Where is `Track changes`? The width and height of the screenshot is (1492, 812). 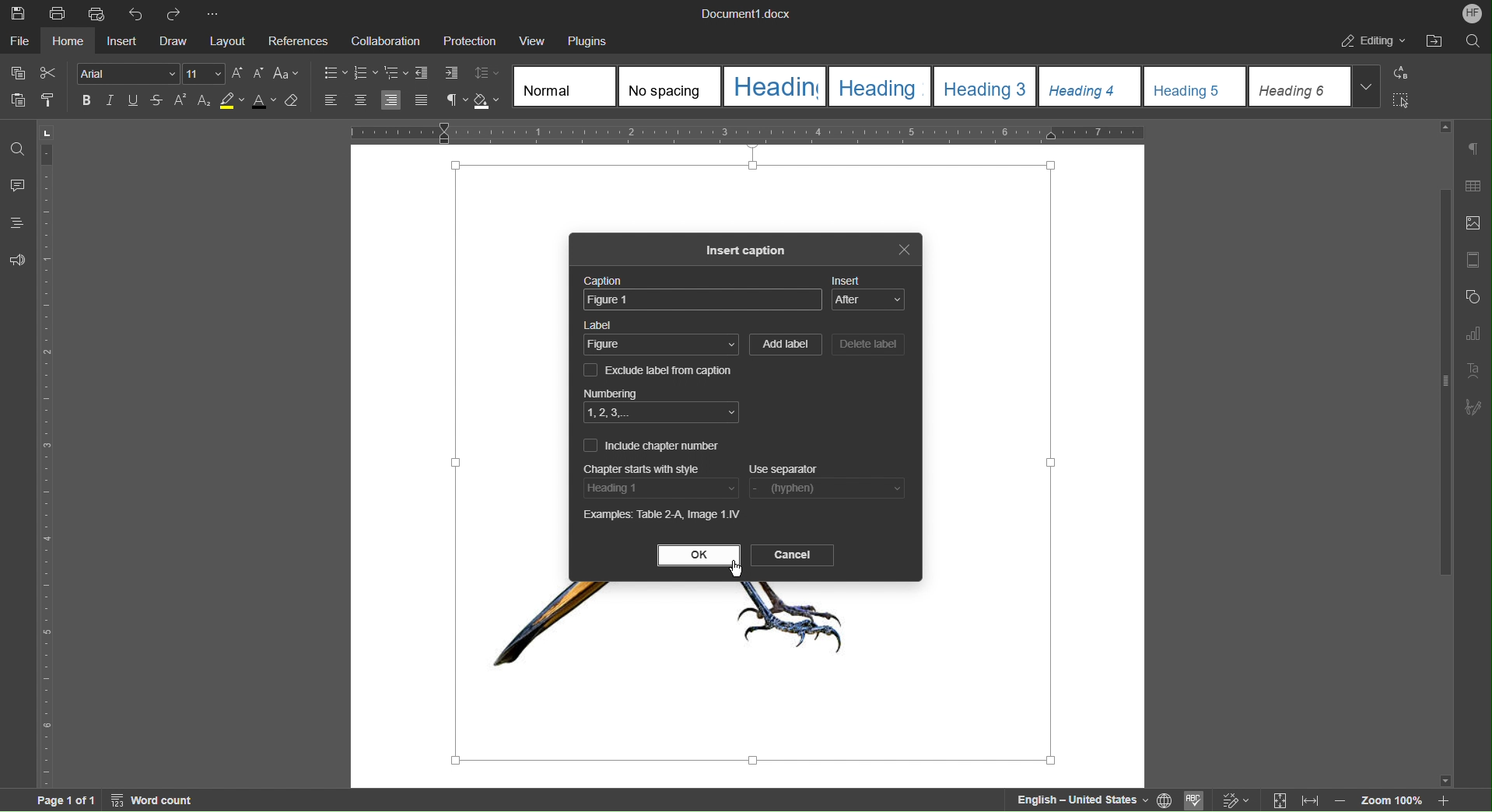
Track changes is located at coordinates (1234, 797).